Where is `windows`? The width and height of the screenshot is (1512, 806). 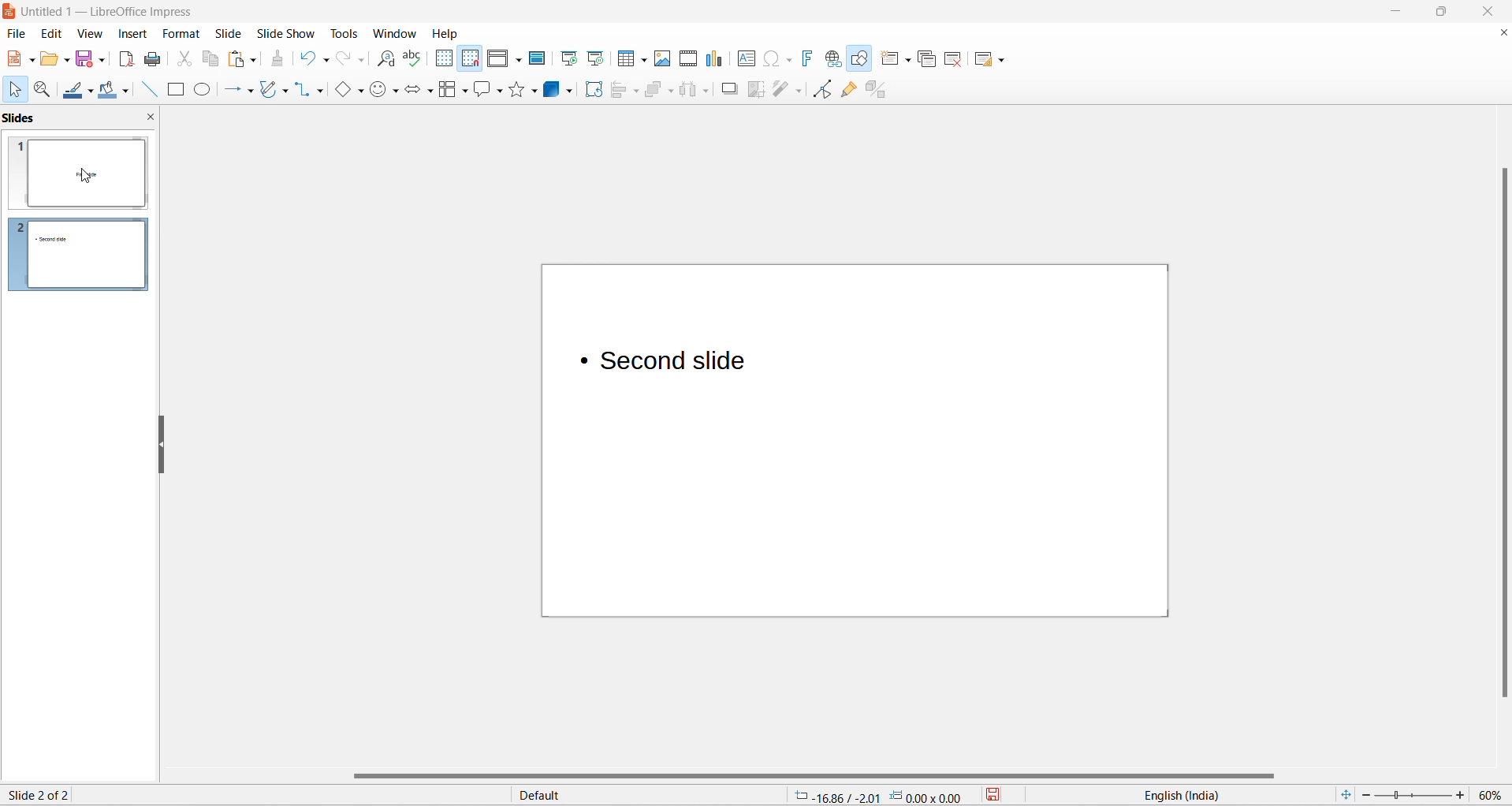
windows is located at coordinates (401, 32).